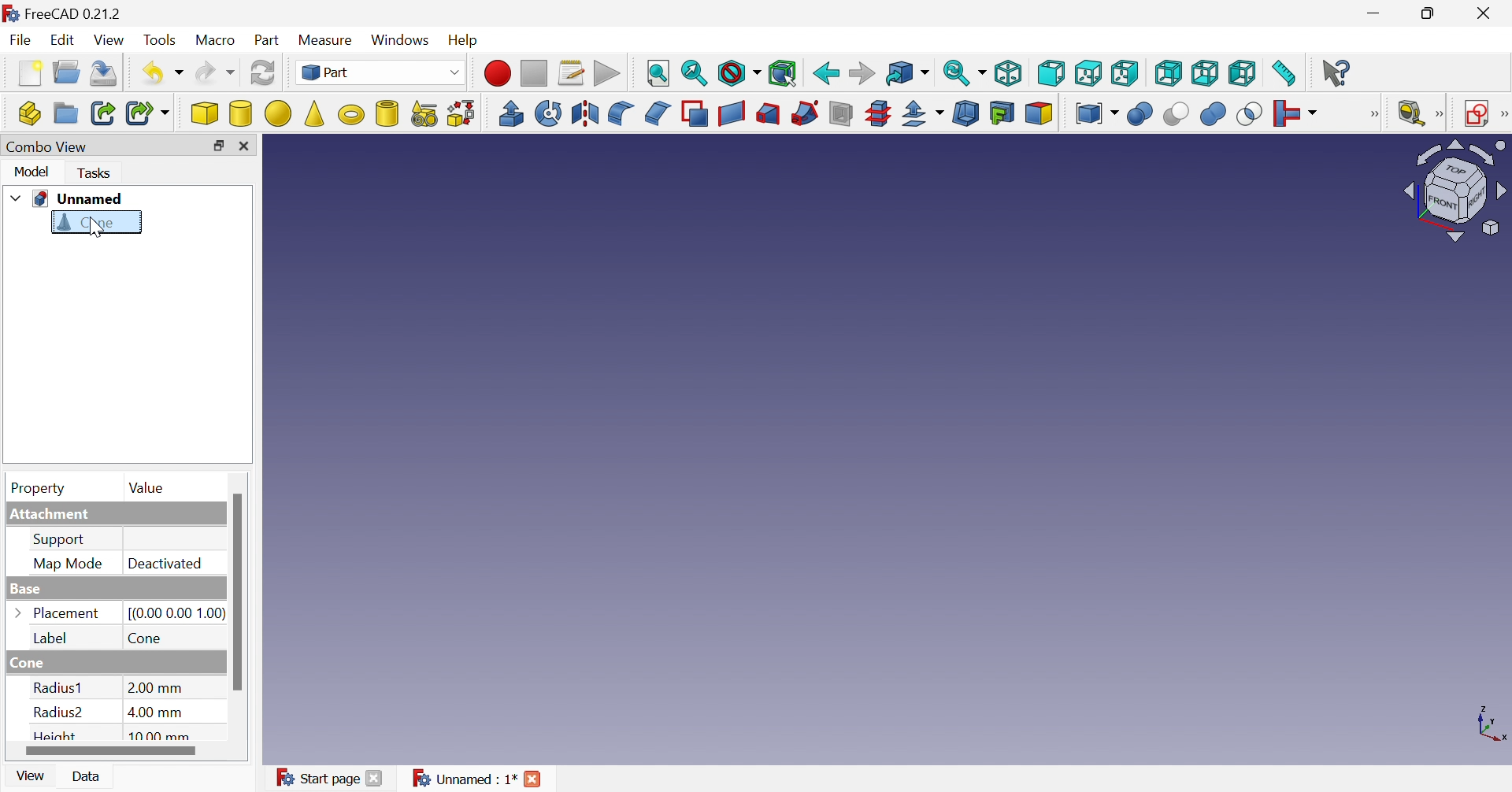 This screenshot has height=792, width=1512. Describe the element at coordinates (783, 73) in the screenshot. I see `Bounding box` at that location.